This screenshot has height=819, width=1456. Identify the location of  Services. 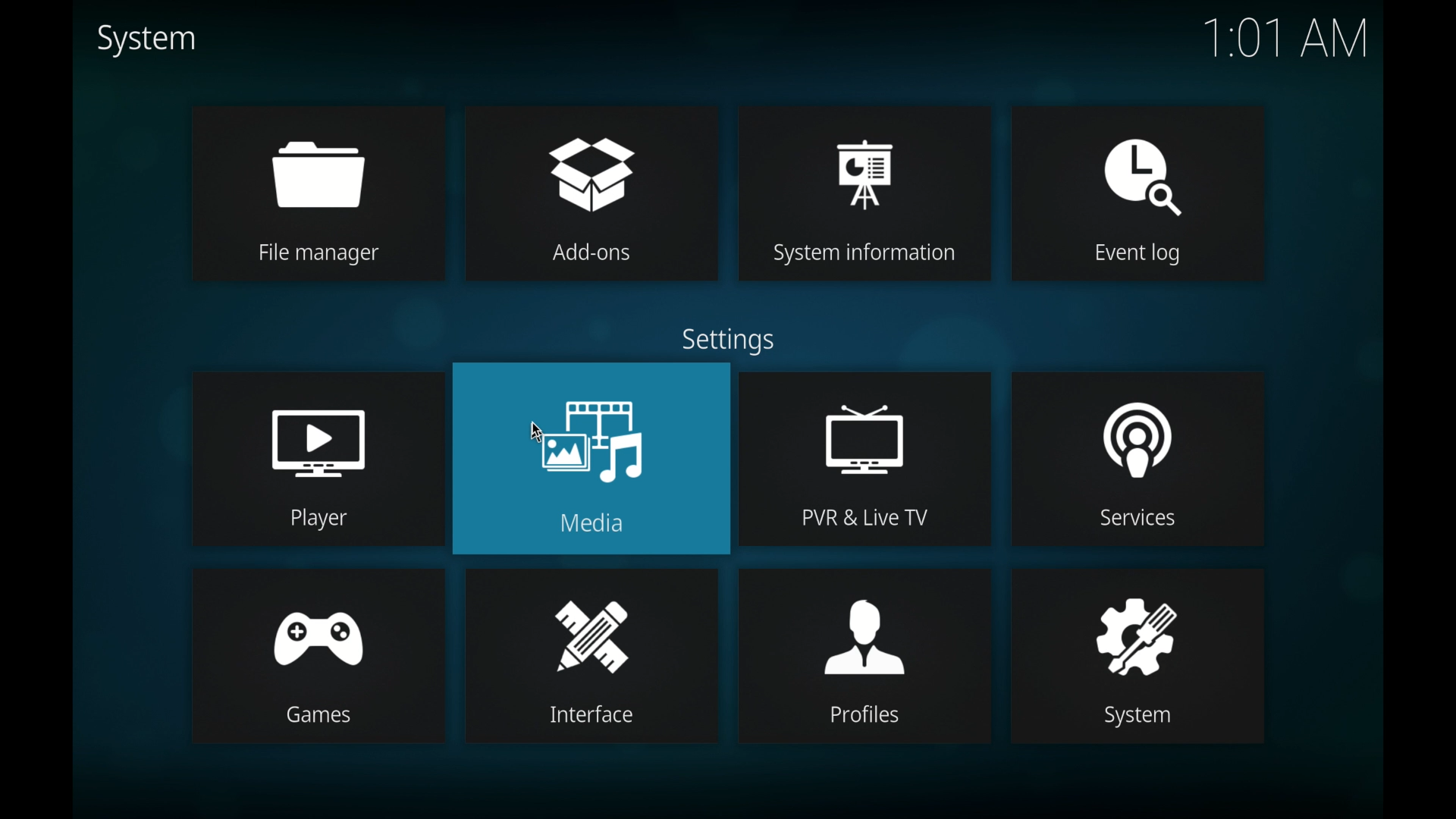
(1134, 519).